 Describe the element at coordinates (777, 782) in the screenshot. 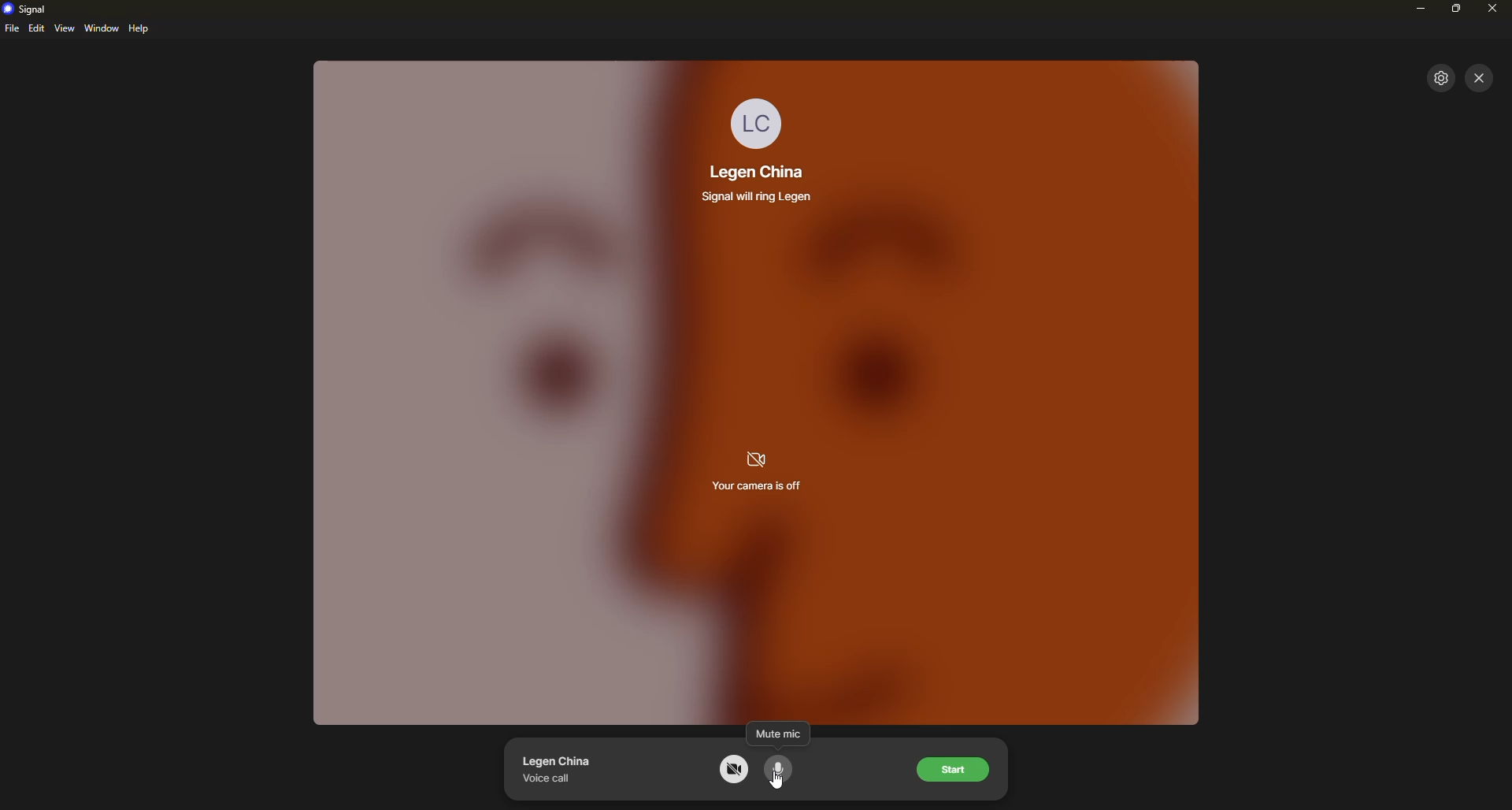

I see `cursor` at that location.